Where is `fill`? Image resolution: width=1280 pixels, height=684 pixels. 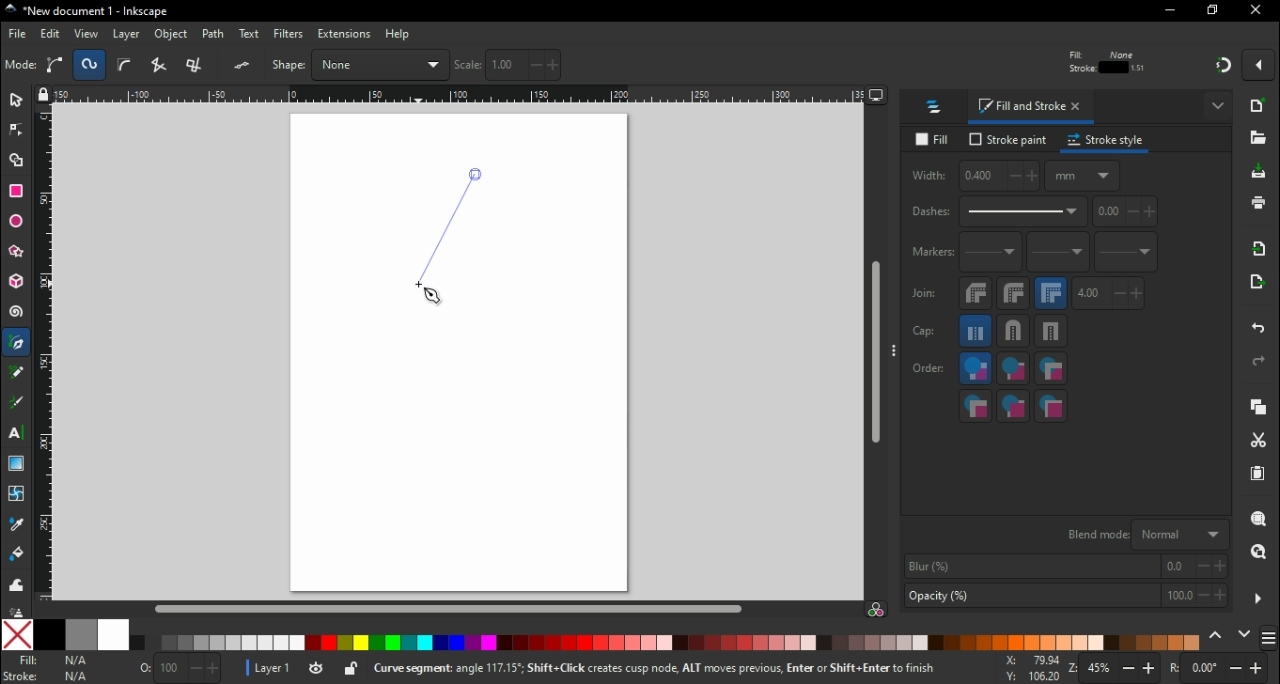
fill is located at coordinates (932, 139).